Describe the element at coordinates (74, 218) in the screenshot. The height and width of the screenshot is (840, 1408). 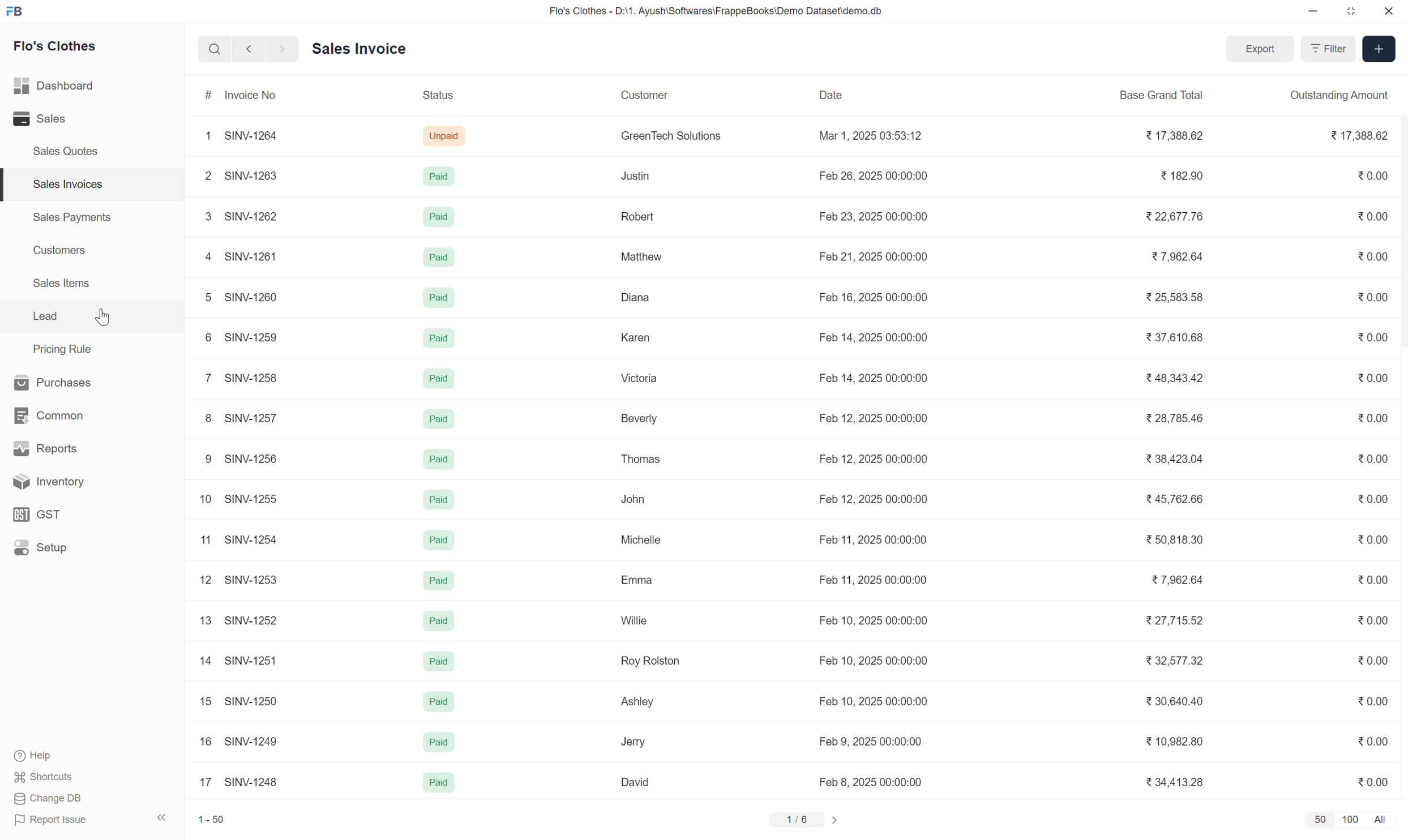
I see `Sales Payments` at that location.